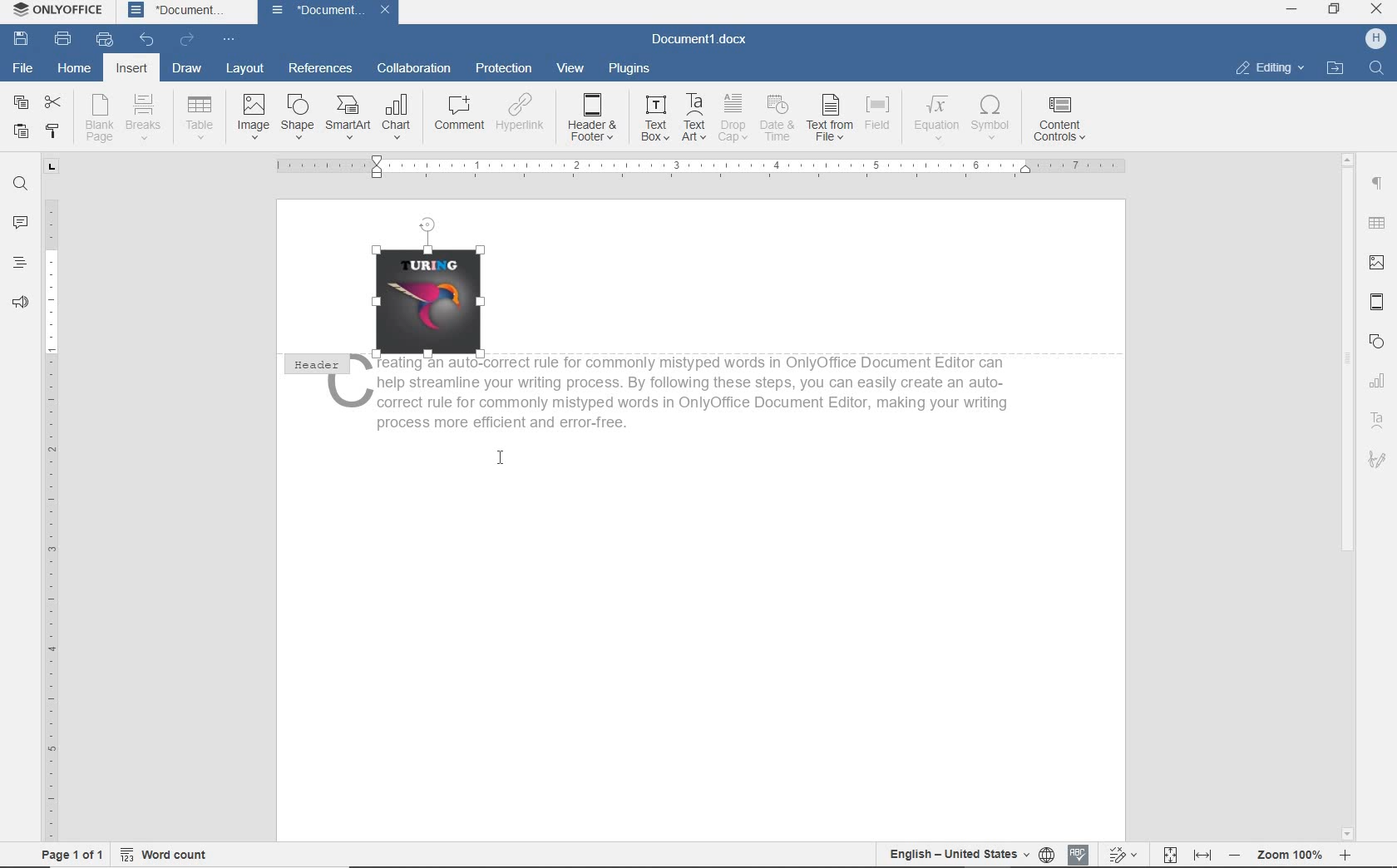 This screenshot has height=868, width=1397. What do you see at coordinates (575, 69) in the screenshot?
I see `VIEW` at bounding box center [575, 69].